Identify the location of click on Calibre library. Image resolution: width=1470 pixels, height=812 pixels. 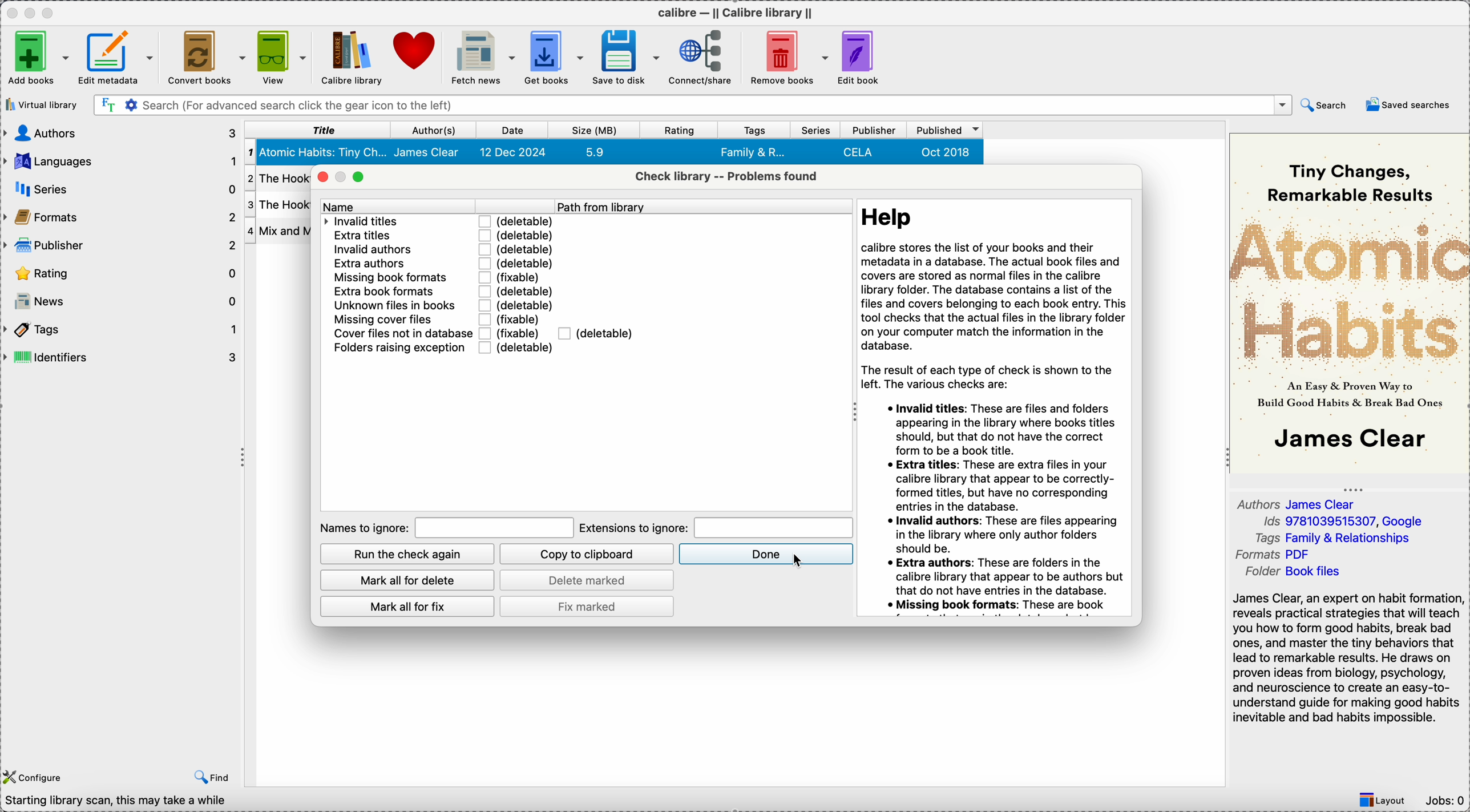
(350, 58).